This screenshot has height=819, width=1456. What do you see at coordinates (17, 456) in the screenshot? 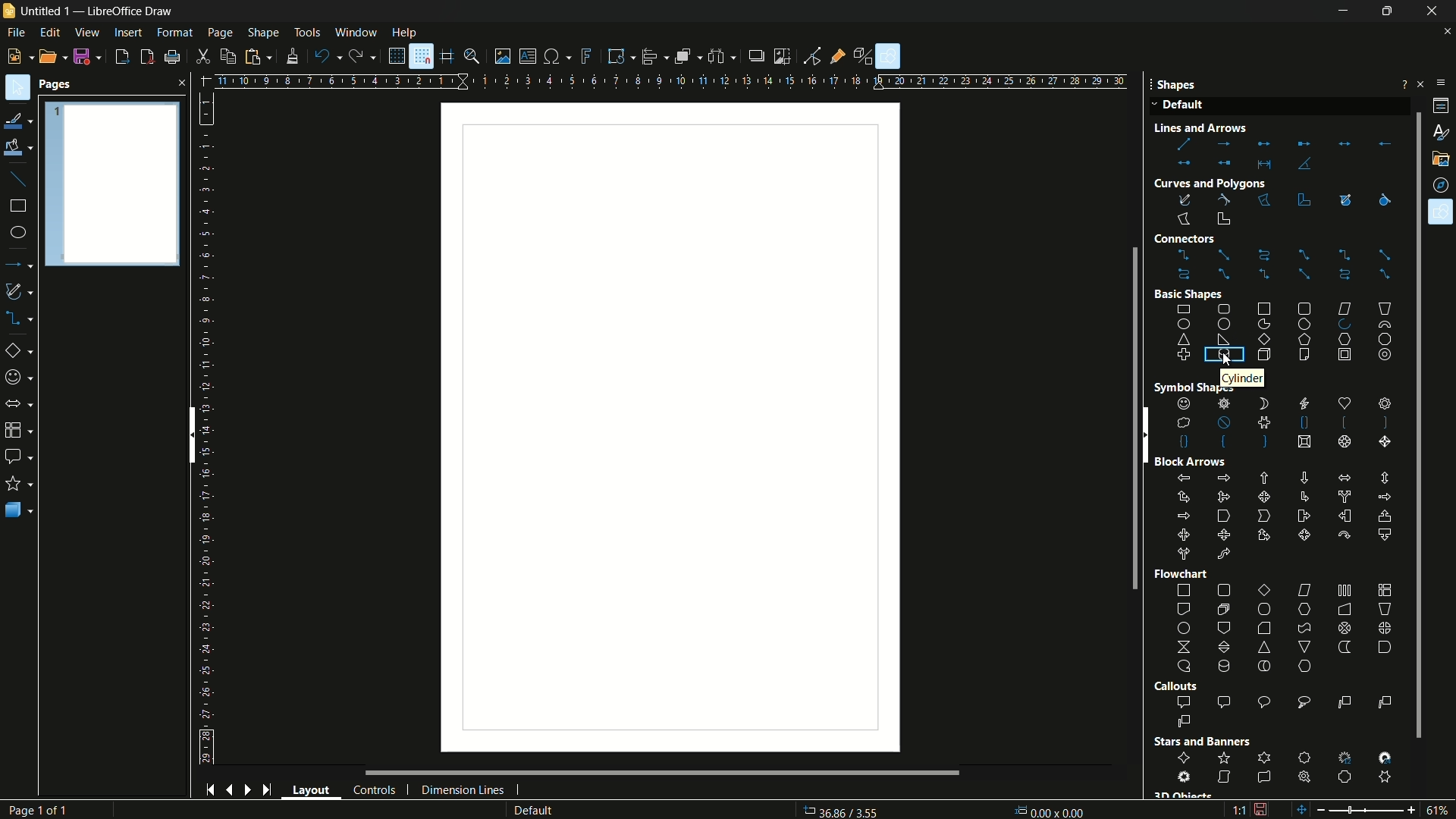
I see `callout shapes` at bounding box center [17, 456].